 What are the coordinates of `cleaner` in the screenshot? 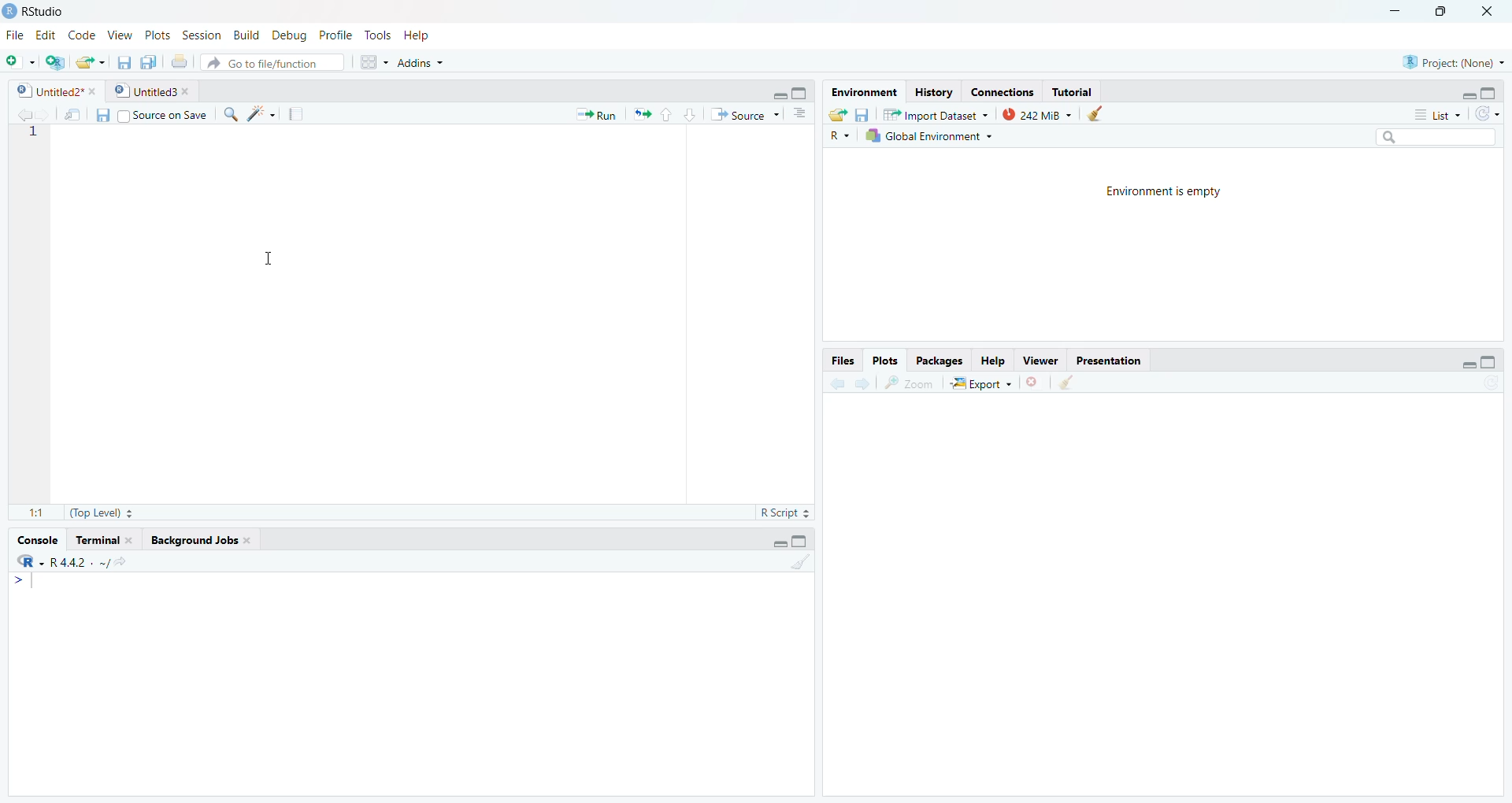 It's located at (1102, 113).